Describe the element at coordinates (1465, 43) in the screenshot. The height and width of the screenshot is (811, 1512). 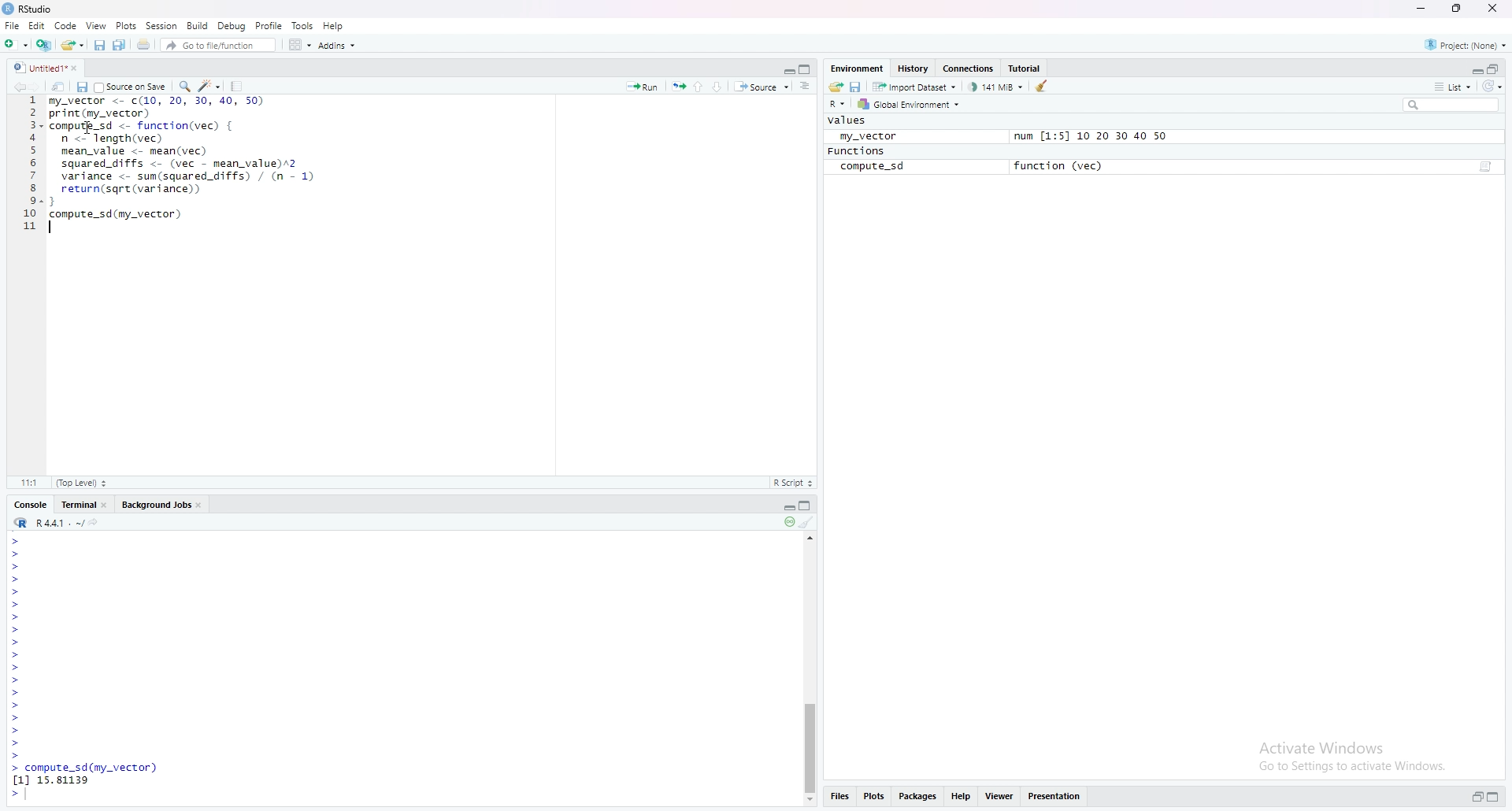
I see `Project(None)` at that location.